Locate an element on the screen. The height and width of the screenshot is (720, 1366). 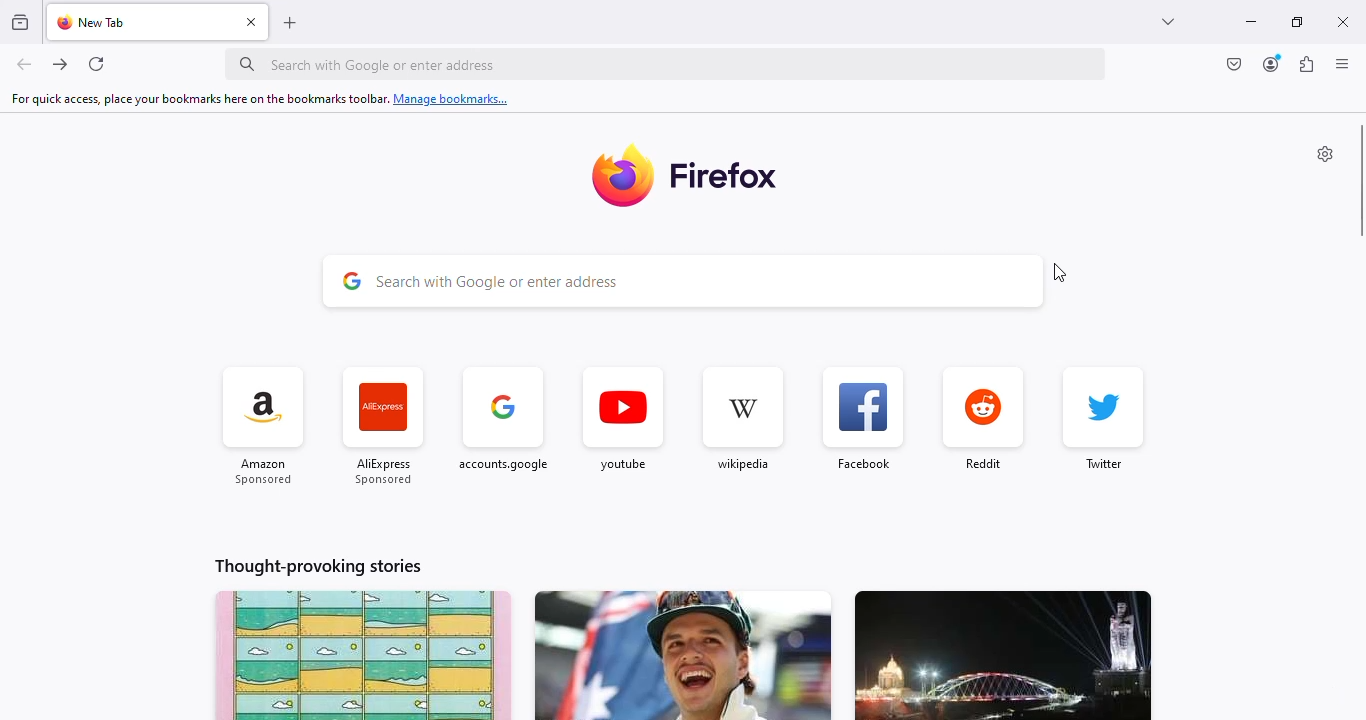
facebook is located at coordinates (862, 420).